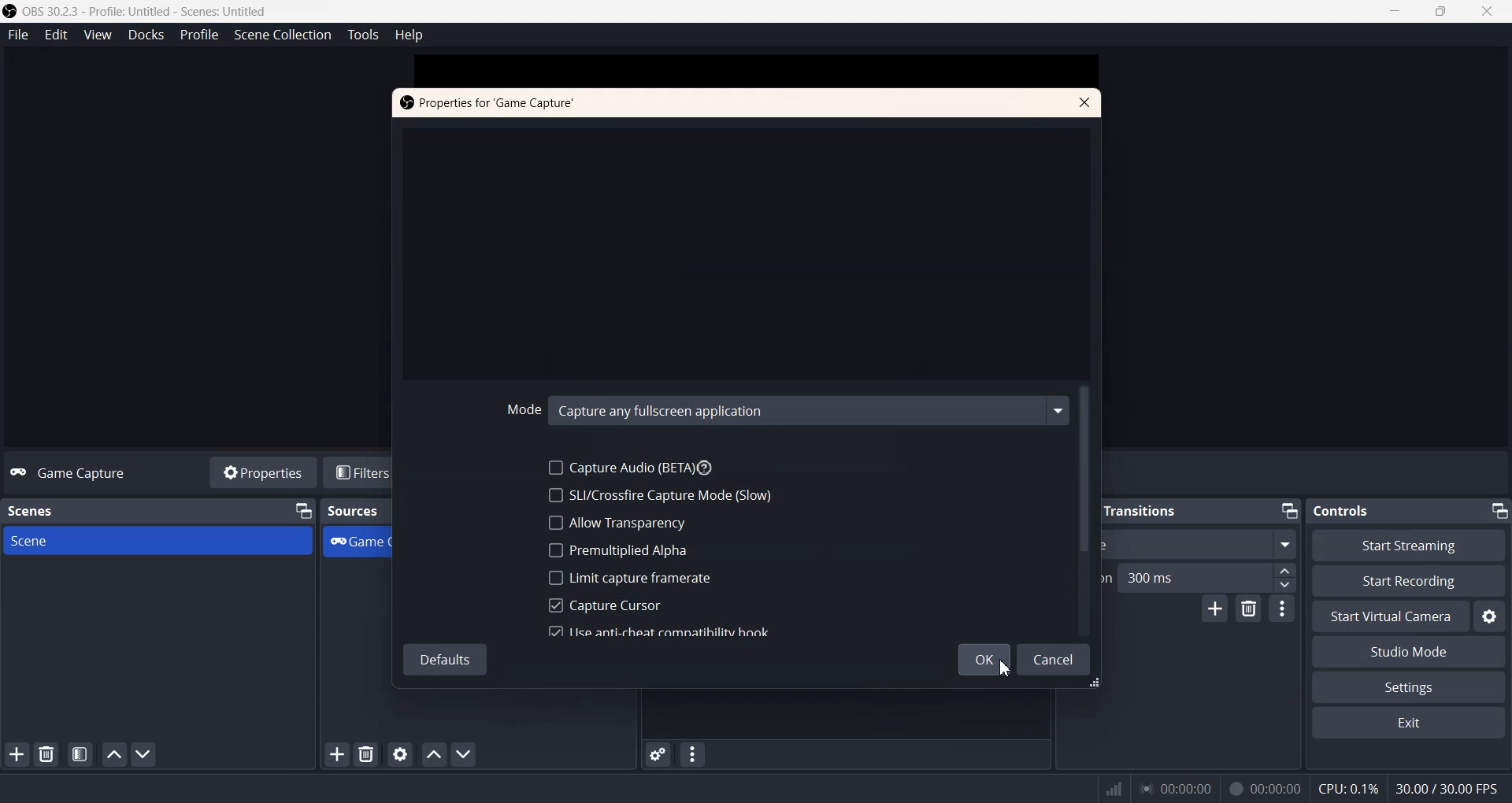 The height and width of the screenshot is (803, 1512). What do you see at coordinates (1052, 657) in the screenshot?
I see `Cancel` at bounding box center [1052, 657].